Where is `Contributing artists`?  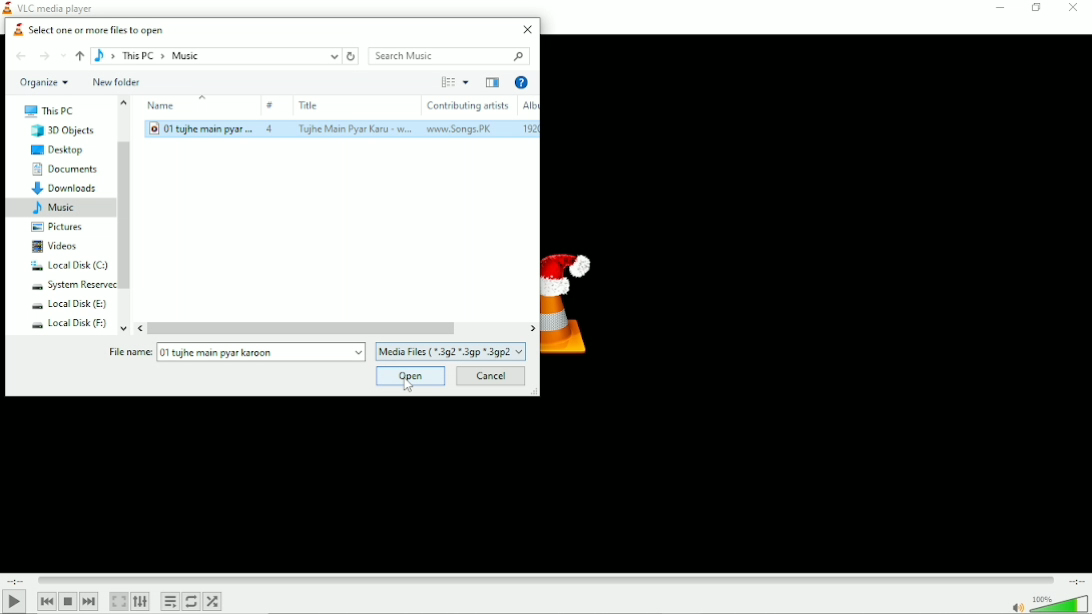
Contributing artists is located at coordinates (468, 104).